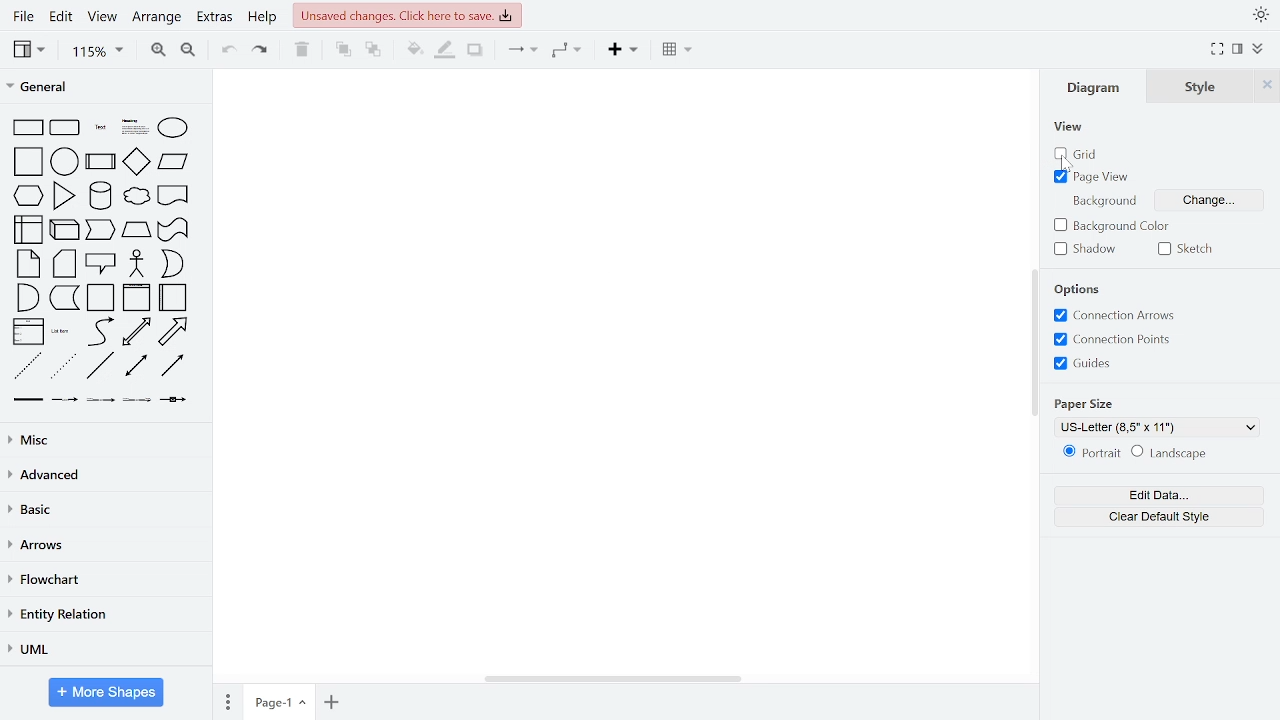 The height and width of the screenshot is (720, 1280). Describe the element at coordinates (1210, 200) in the screenshot. I see `change background` at that location.